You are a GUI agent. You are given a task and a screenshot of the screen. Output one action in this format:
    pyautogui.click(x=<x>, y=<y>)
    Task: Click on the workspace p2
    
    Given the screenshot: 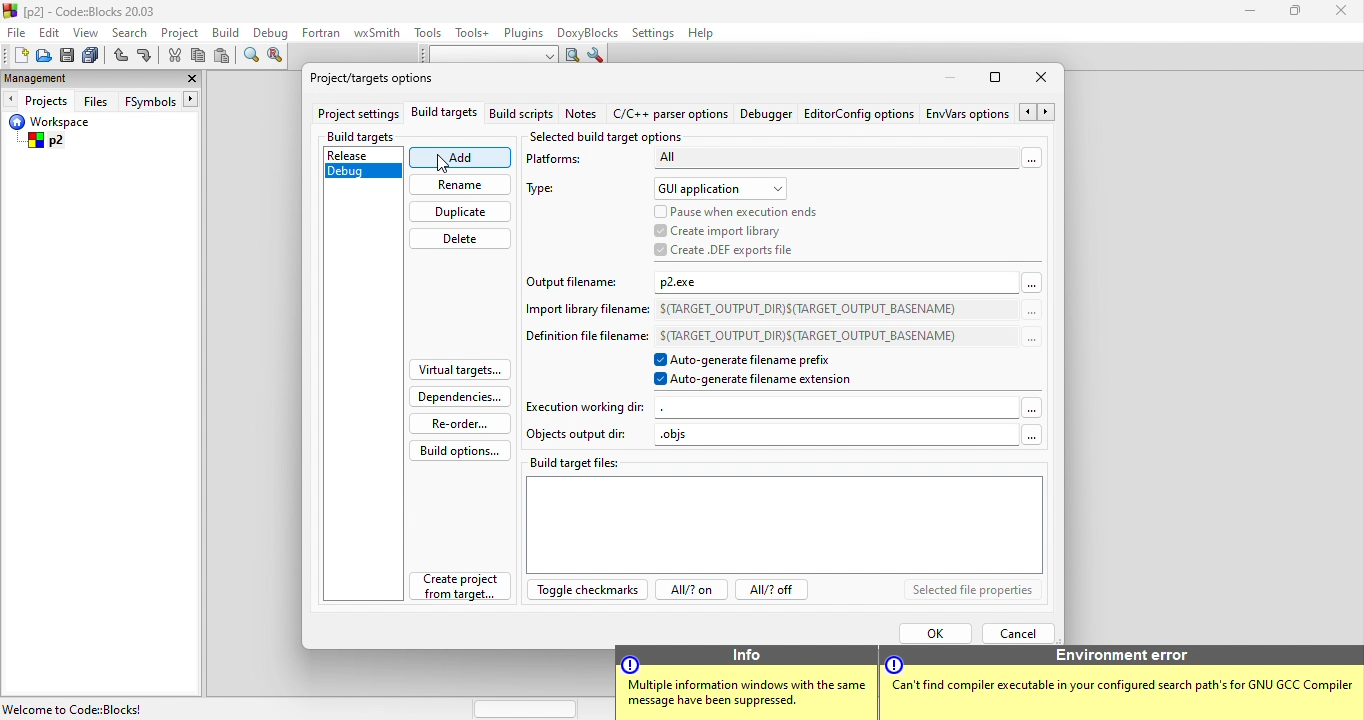 What is the action you would take?
    pyautogui.click(x=80, y=133)
    